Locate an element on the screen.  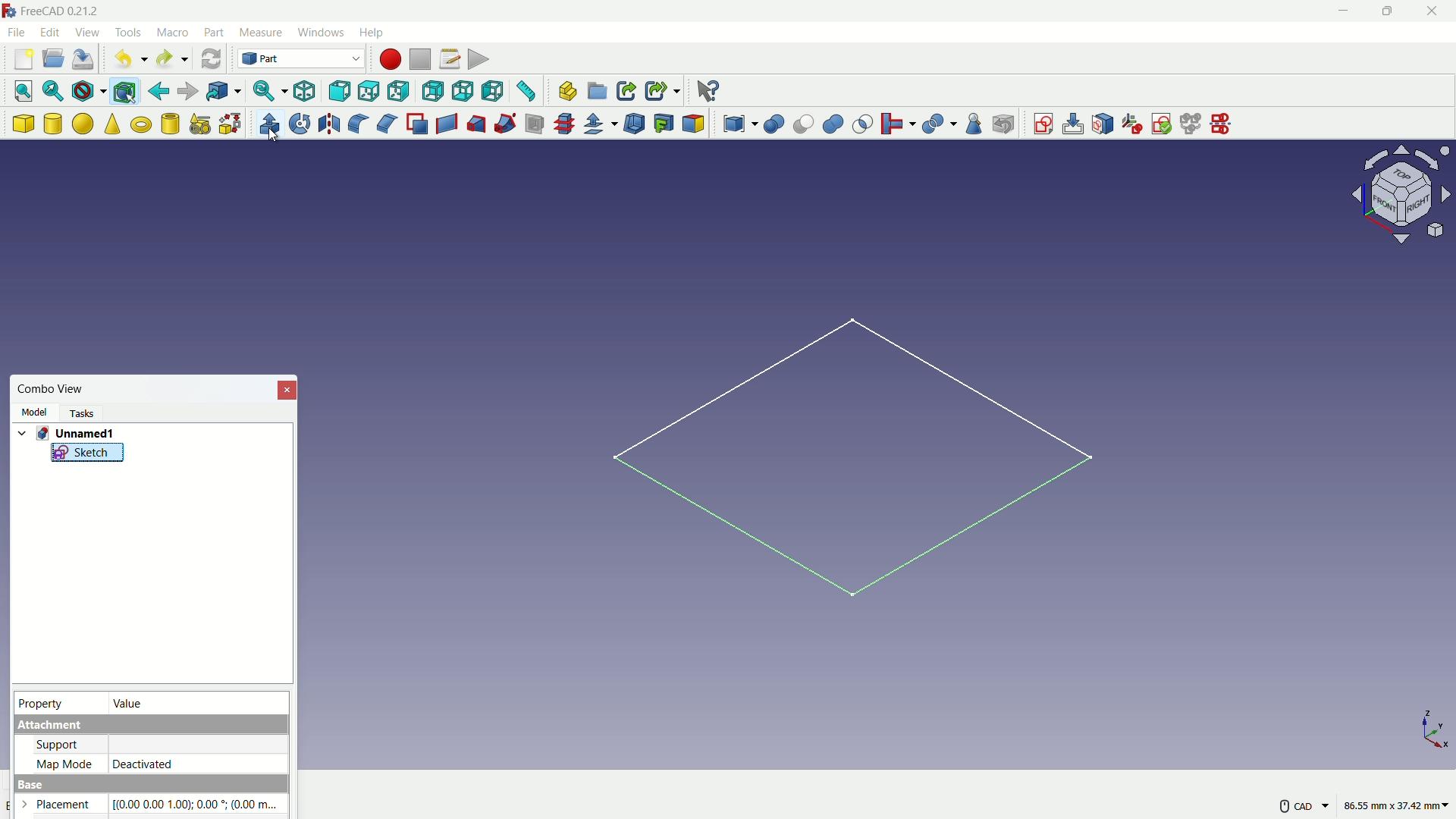
front view is located at coordinates (339, 90).